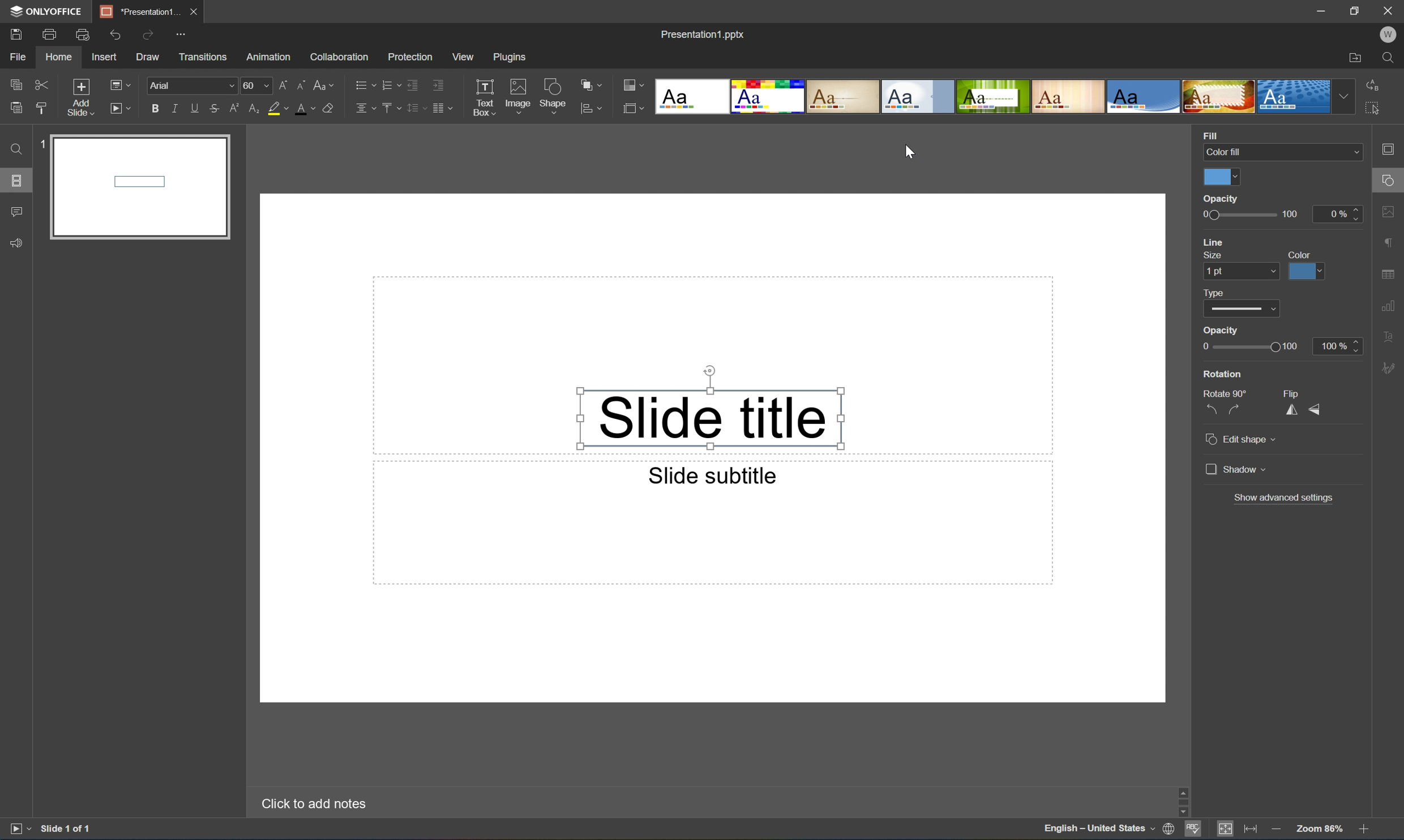 The height and width of the screenshot is (840, 1404). Describe the element at coordinates (1376, 84) in the screenshot. I see `Replace` at that location.